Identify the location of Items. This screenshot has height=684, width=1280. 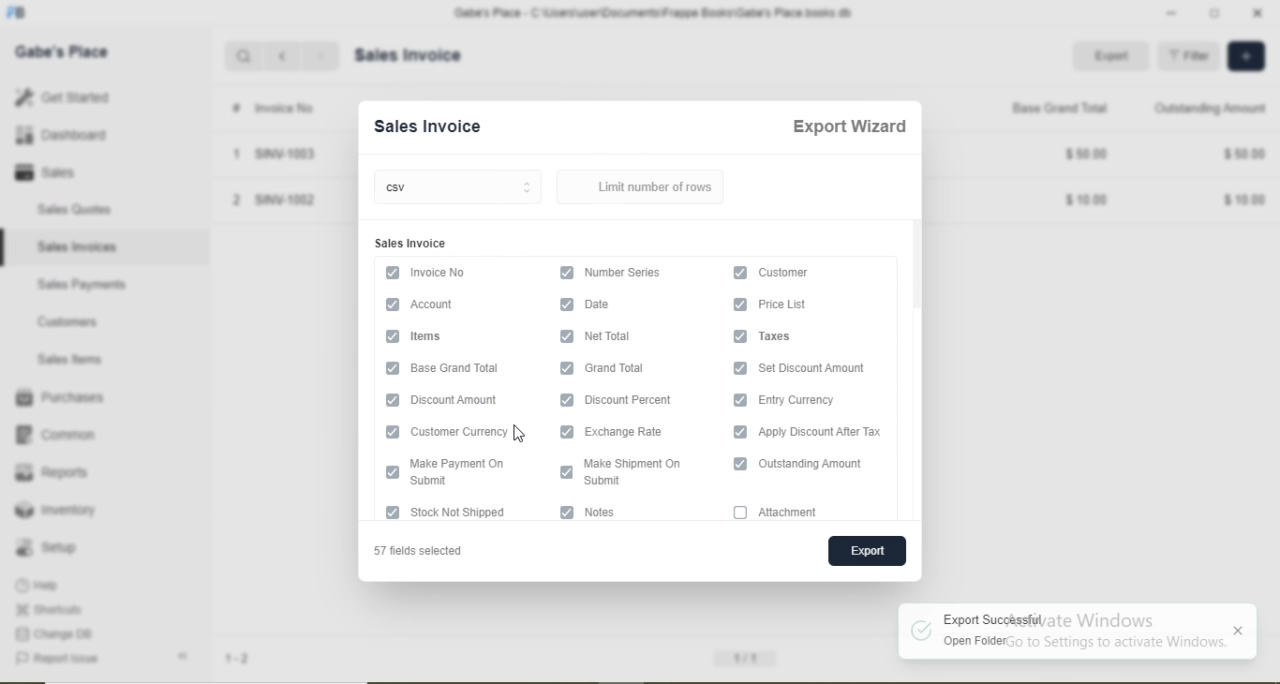
(431, 336).